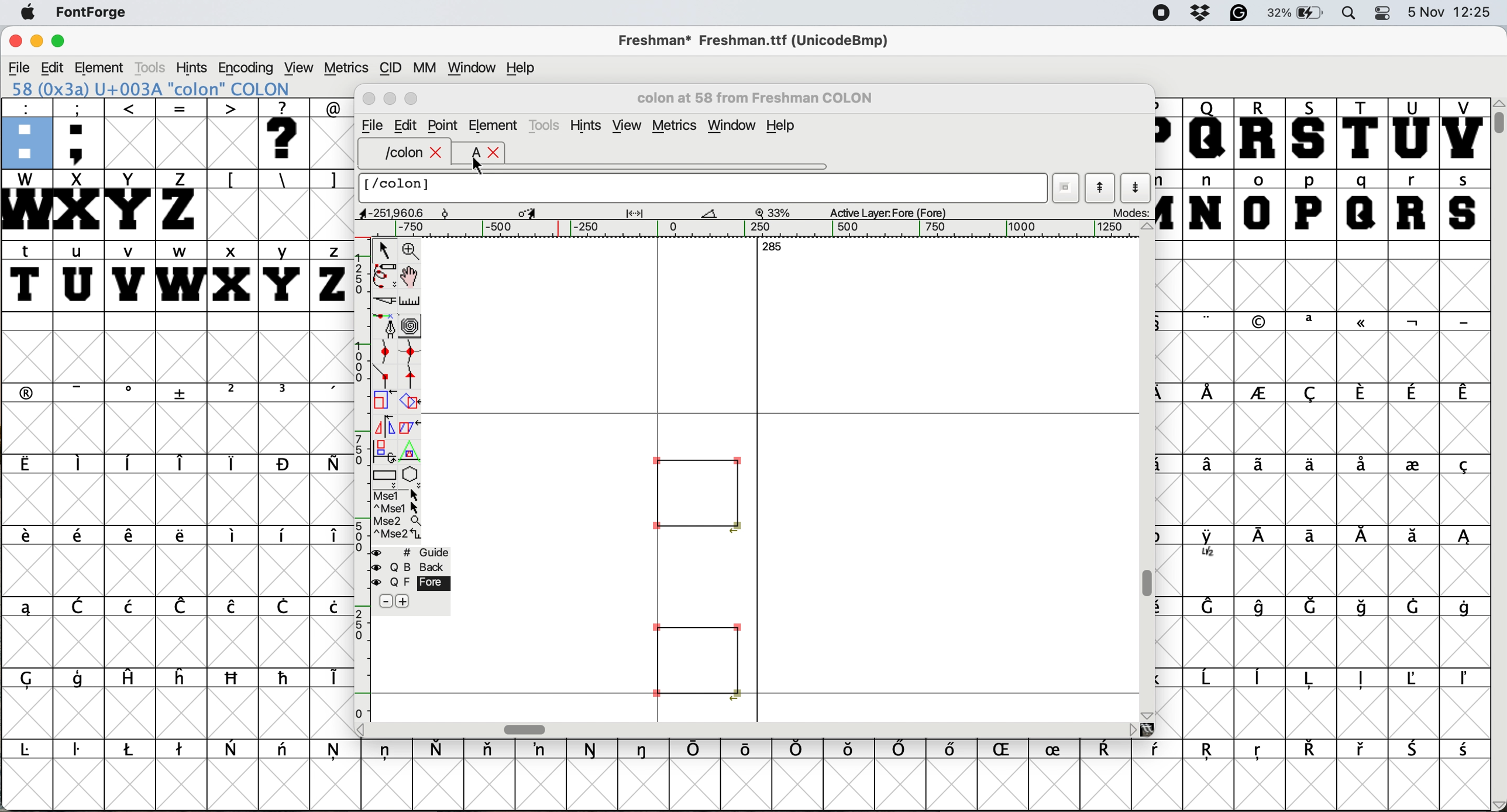  I want to click on maximise, so click(412, 99).